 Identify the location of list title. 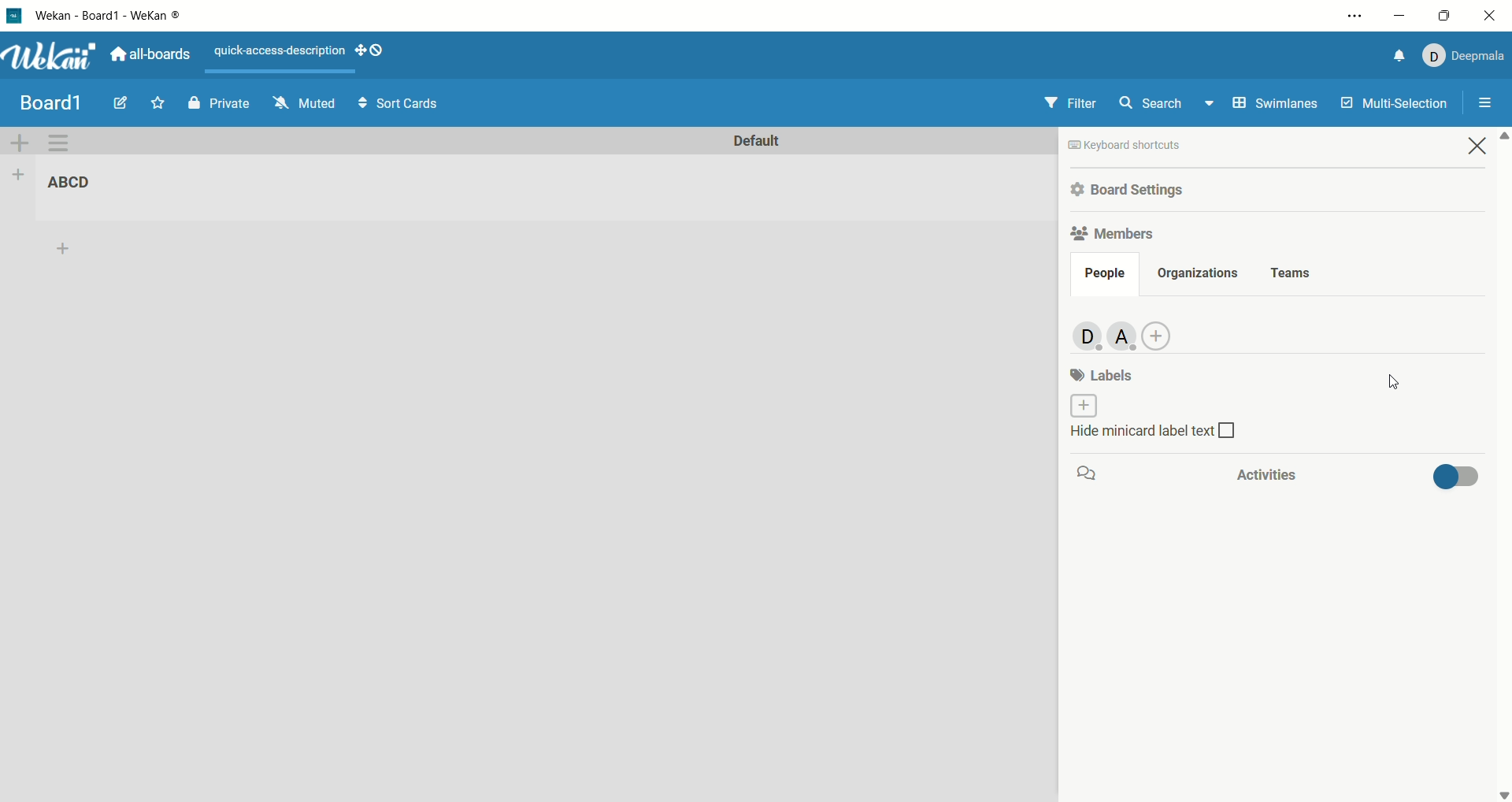
(79, 184).